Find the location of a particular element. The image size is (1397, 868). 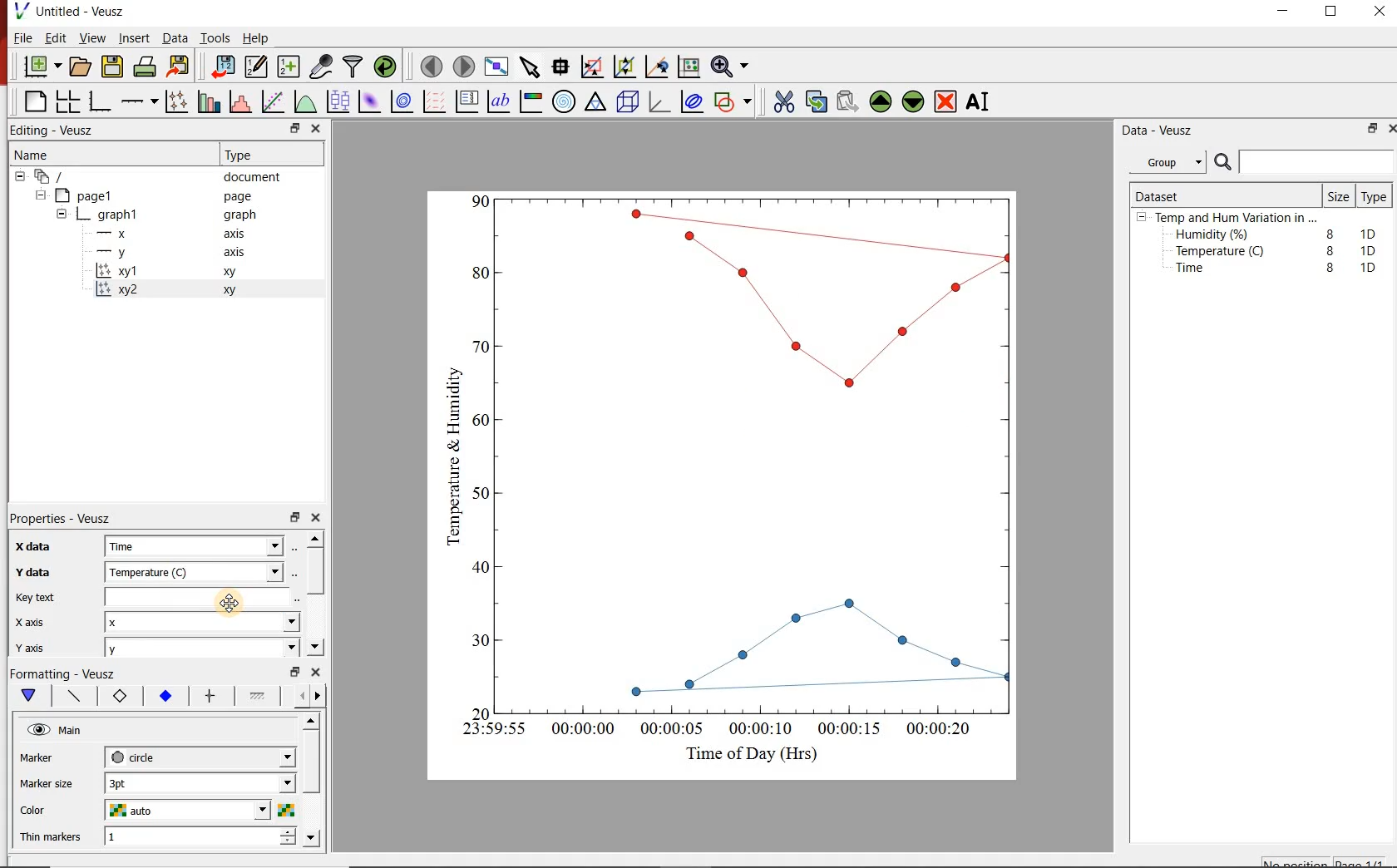

Data - Veusz is located at coordinates (1161, 131).